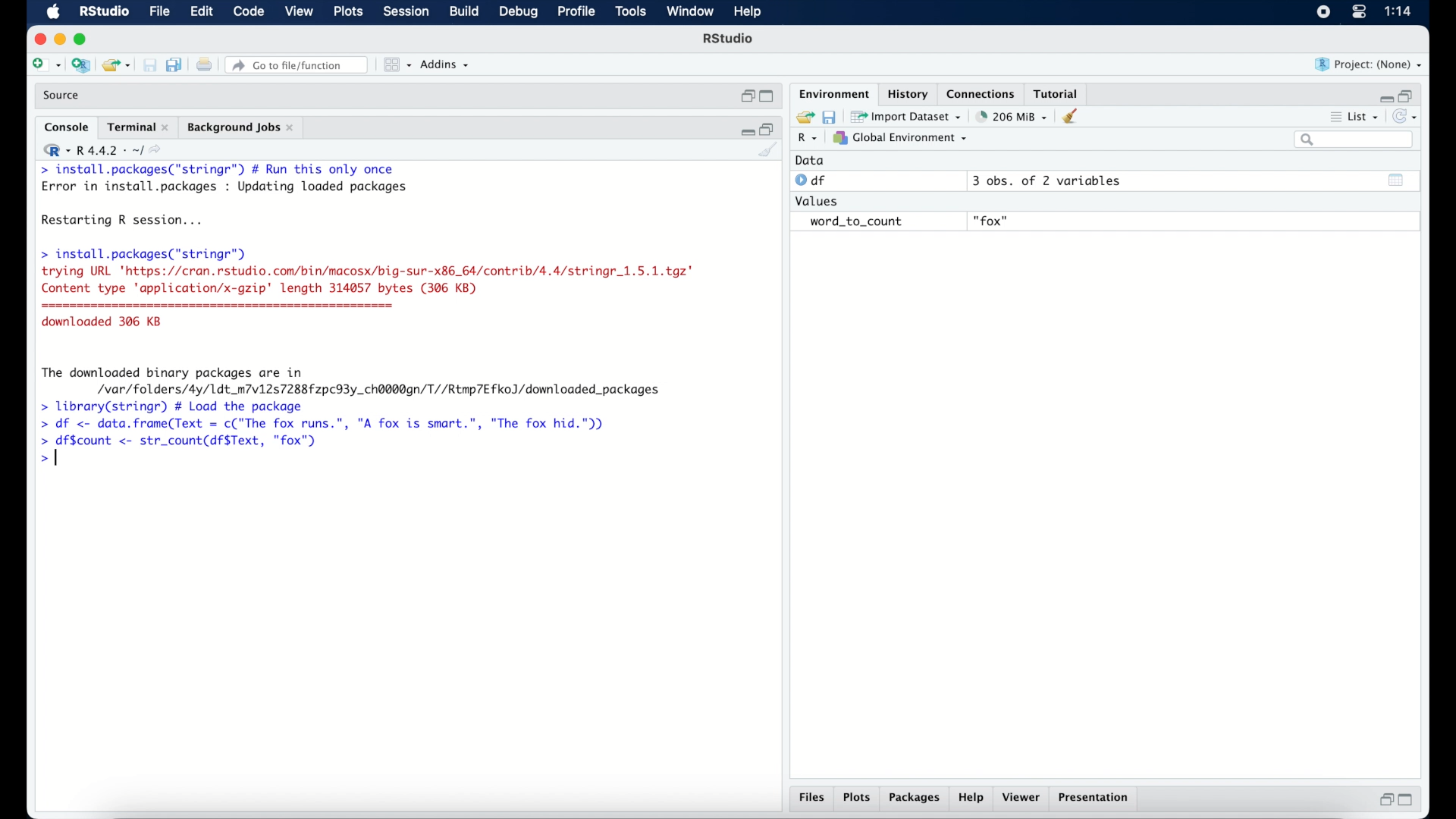 This screenshot has width=1456, height=819. Describe the element at coordinates (728, 39) in the screenshot. I see `R studio` at that location.